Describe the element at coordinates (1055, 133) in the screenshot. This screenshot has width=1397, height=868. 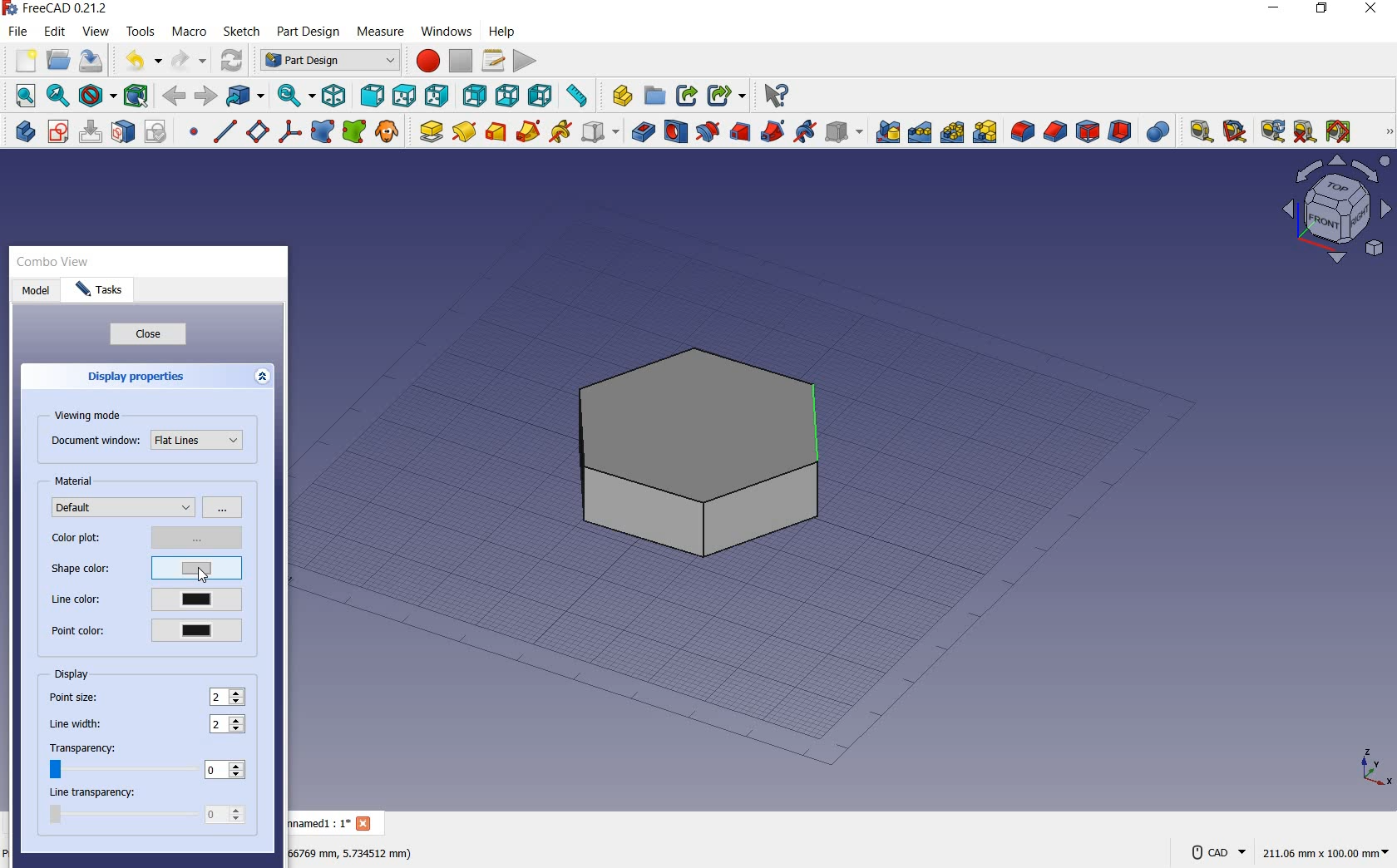
I see `chamfer` at that location.